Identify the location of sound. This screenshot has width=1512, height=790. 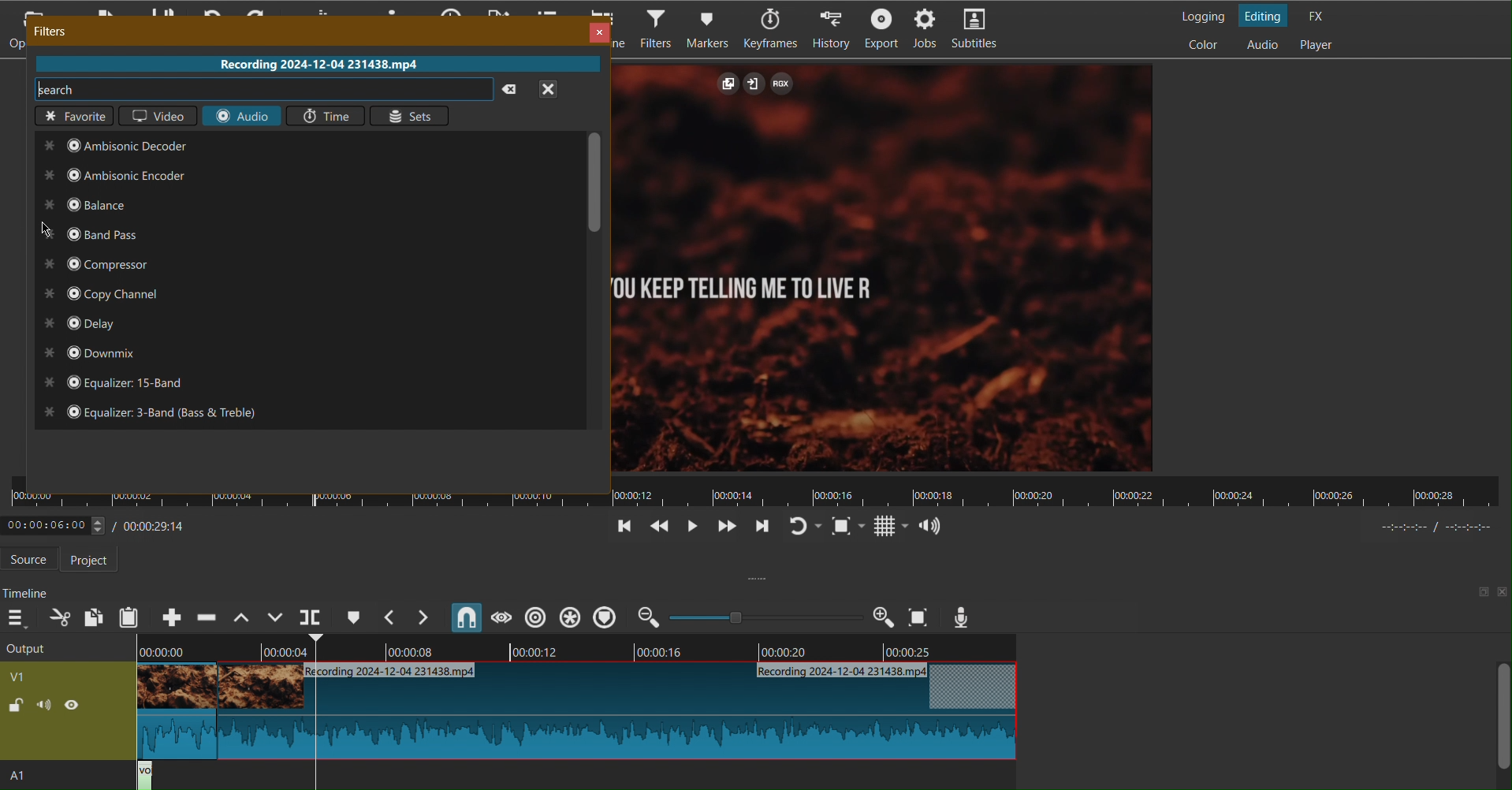
(45, 708).